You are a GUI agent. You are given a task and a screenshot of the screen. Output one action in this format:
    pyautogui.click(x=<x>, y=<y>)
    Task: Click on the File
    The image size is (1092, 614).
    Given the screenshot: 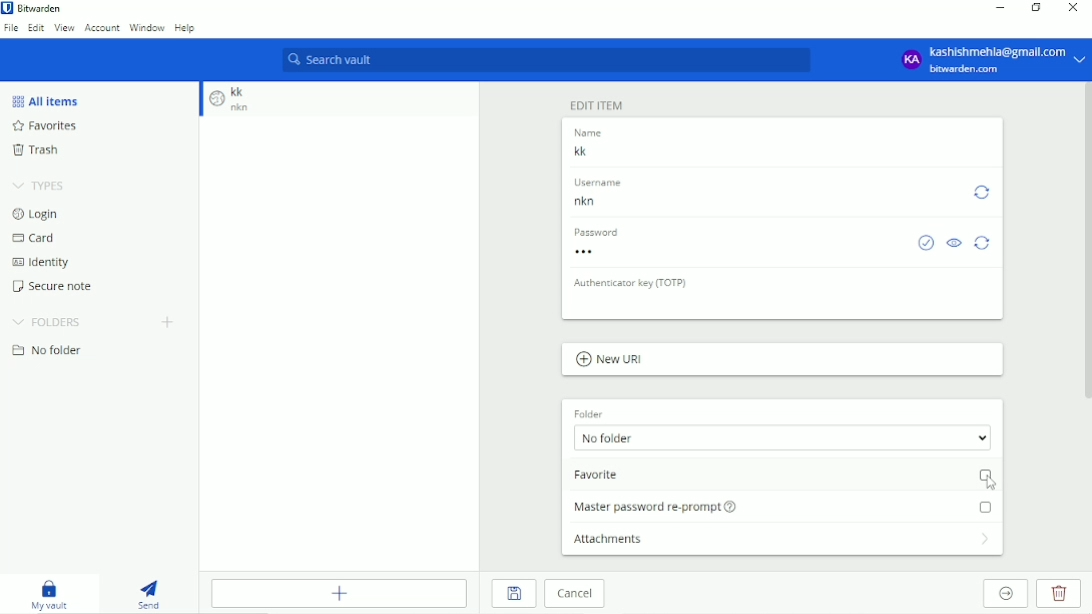 What is the action you would take?
    pyautogui.click(x=12, y=28)
    